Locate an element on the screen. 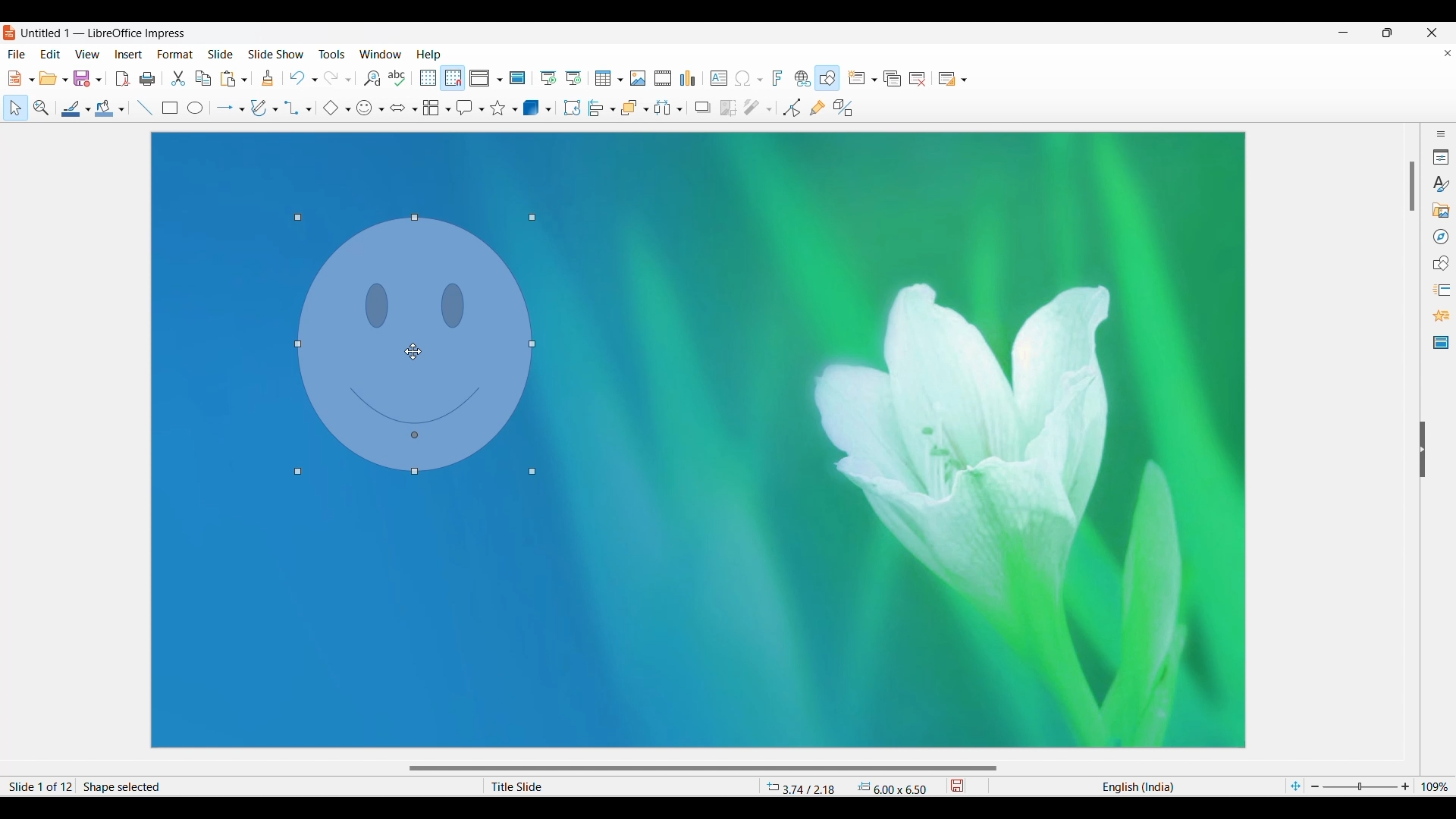  Special character chosen is located at coordinates (742, 79).